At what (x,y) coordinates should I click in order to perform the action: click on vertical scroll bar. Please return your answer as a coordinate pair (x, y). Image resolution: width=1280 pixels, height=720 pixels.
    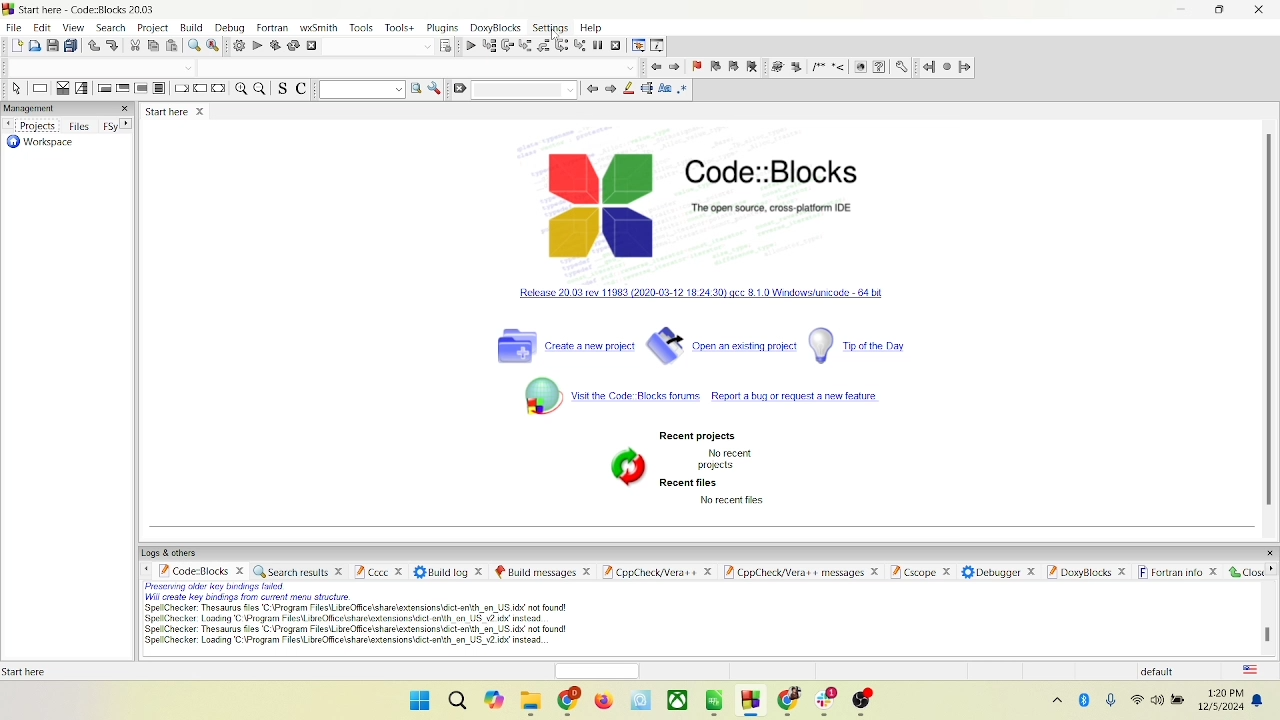
    Looking at the image, I should click on (1270, 327).